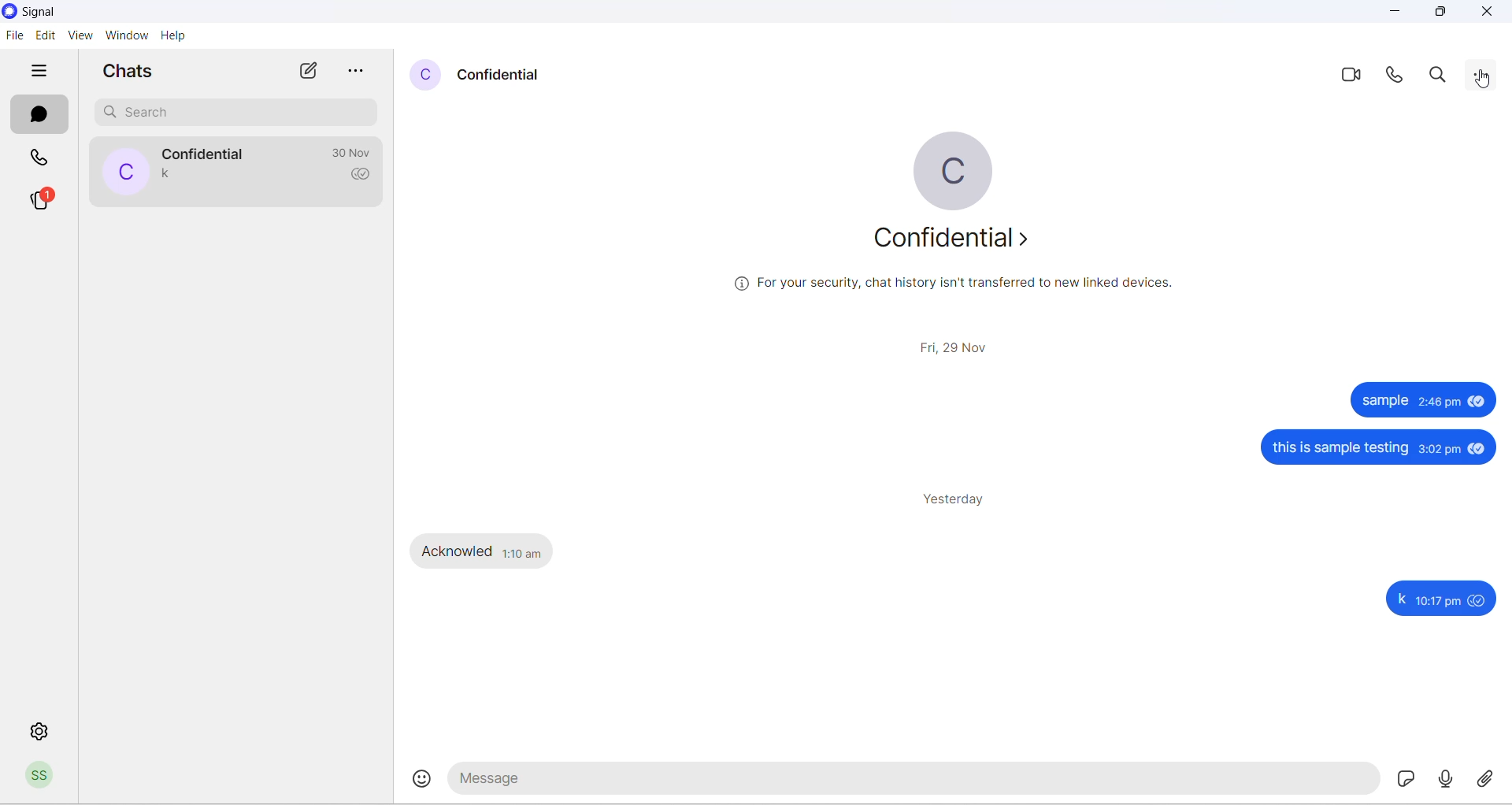  I want to click on profile picture, so click(948, 162).